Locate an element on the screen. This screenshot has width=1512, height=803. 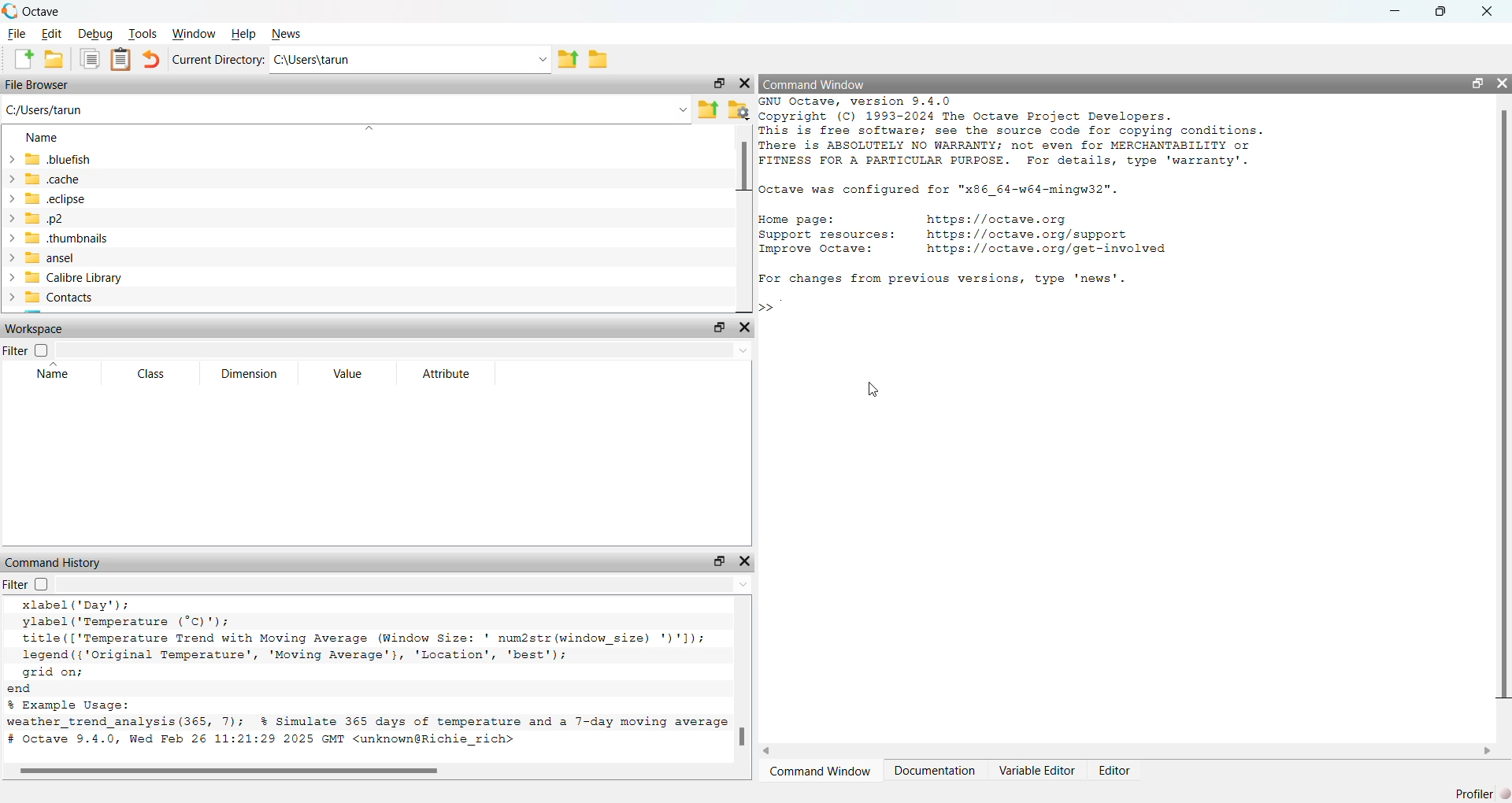
«cache is located at coordinates (50, 179).